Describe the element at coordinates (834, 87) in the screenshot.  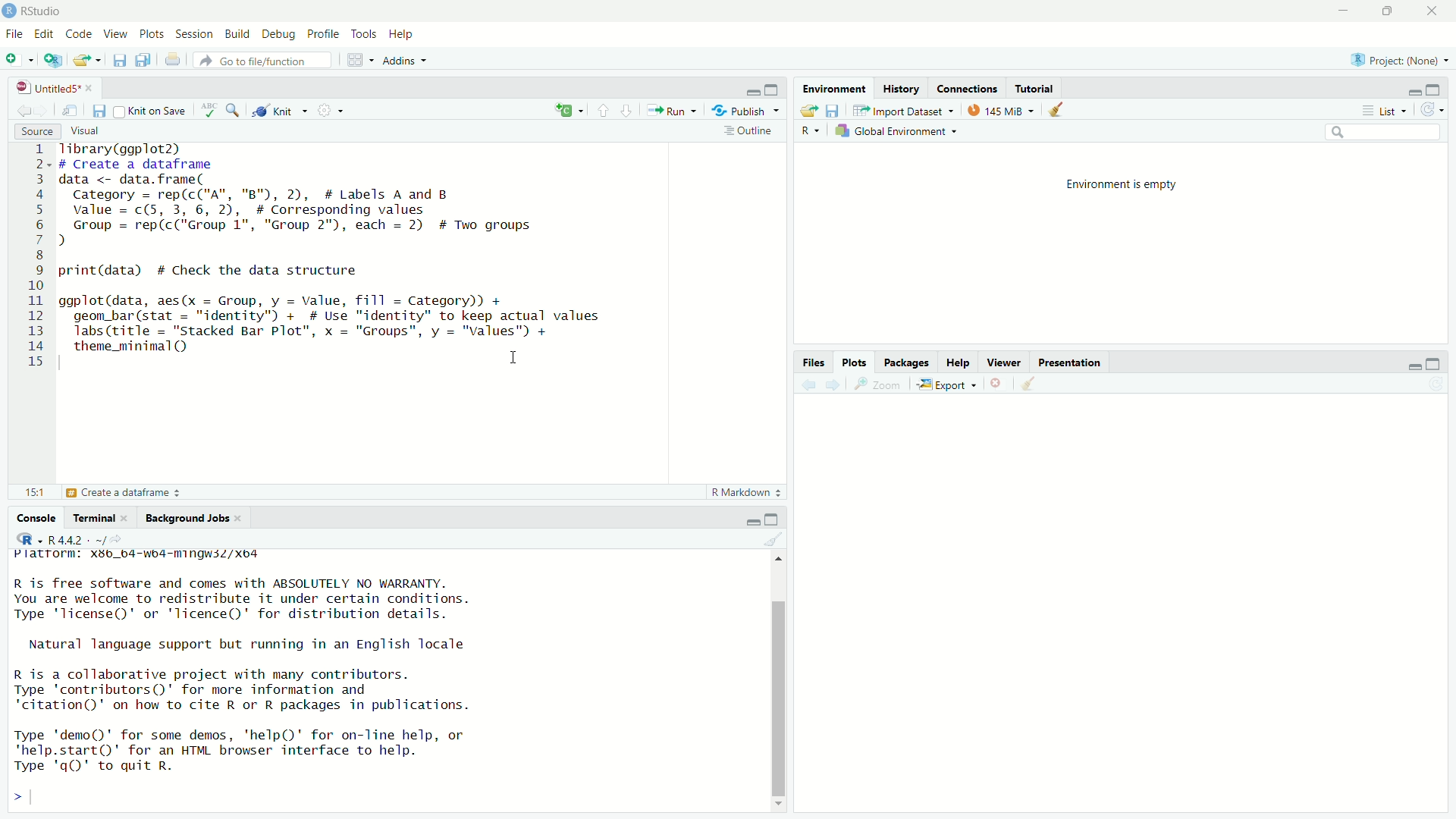
I see `Environmental` at that location.